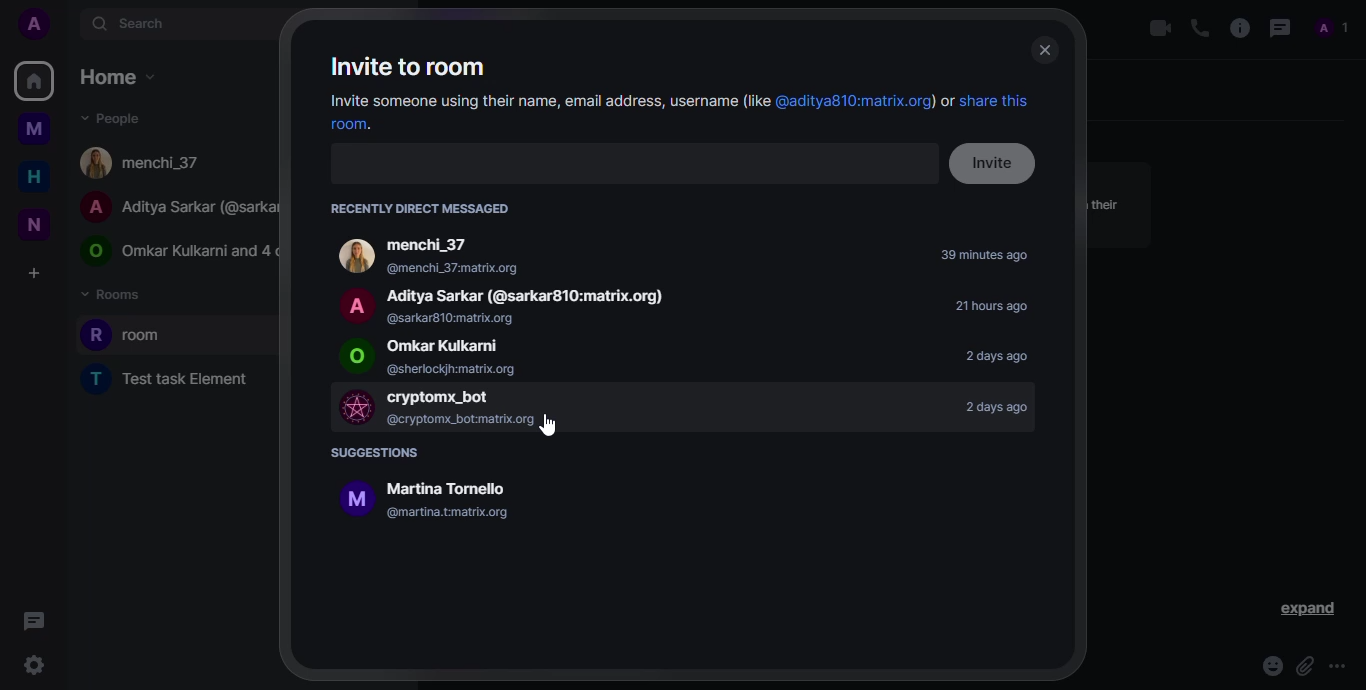 Image resolution: width=1366 pixels, height=690 pixels. What do you see at coordinates (458, 270) in the screenshot?
I see `@menchi_37:matrix.org` at bounding box center [458, 270].